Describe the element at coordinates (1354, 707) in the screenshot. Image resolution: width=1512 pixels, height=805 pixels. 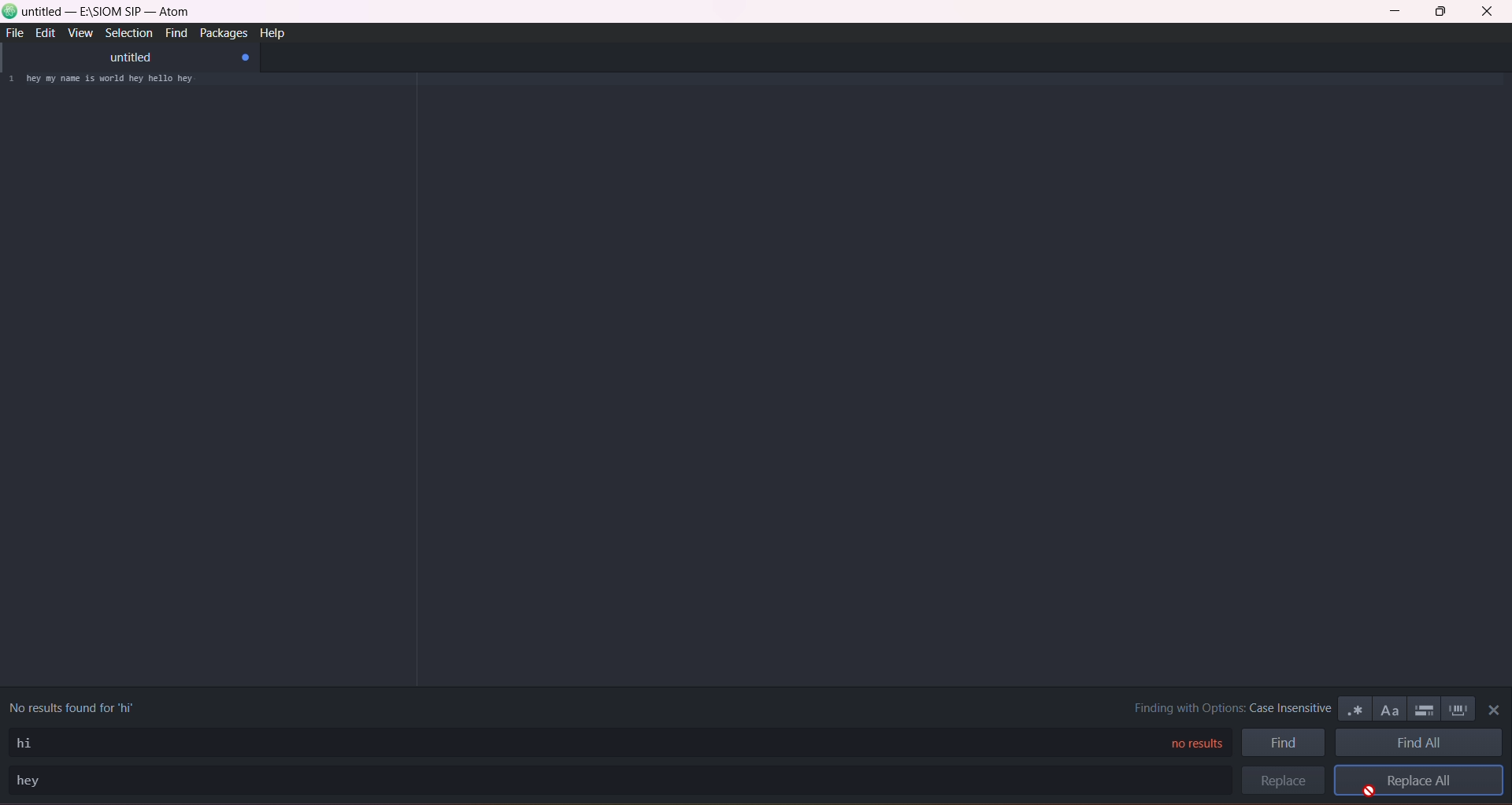
I see `use regex` at that location.